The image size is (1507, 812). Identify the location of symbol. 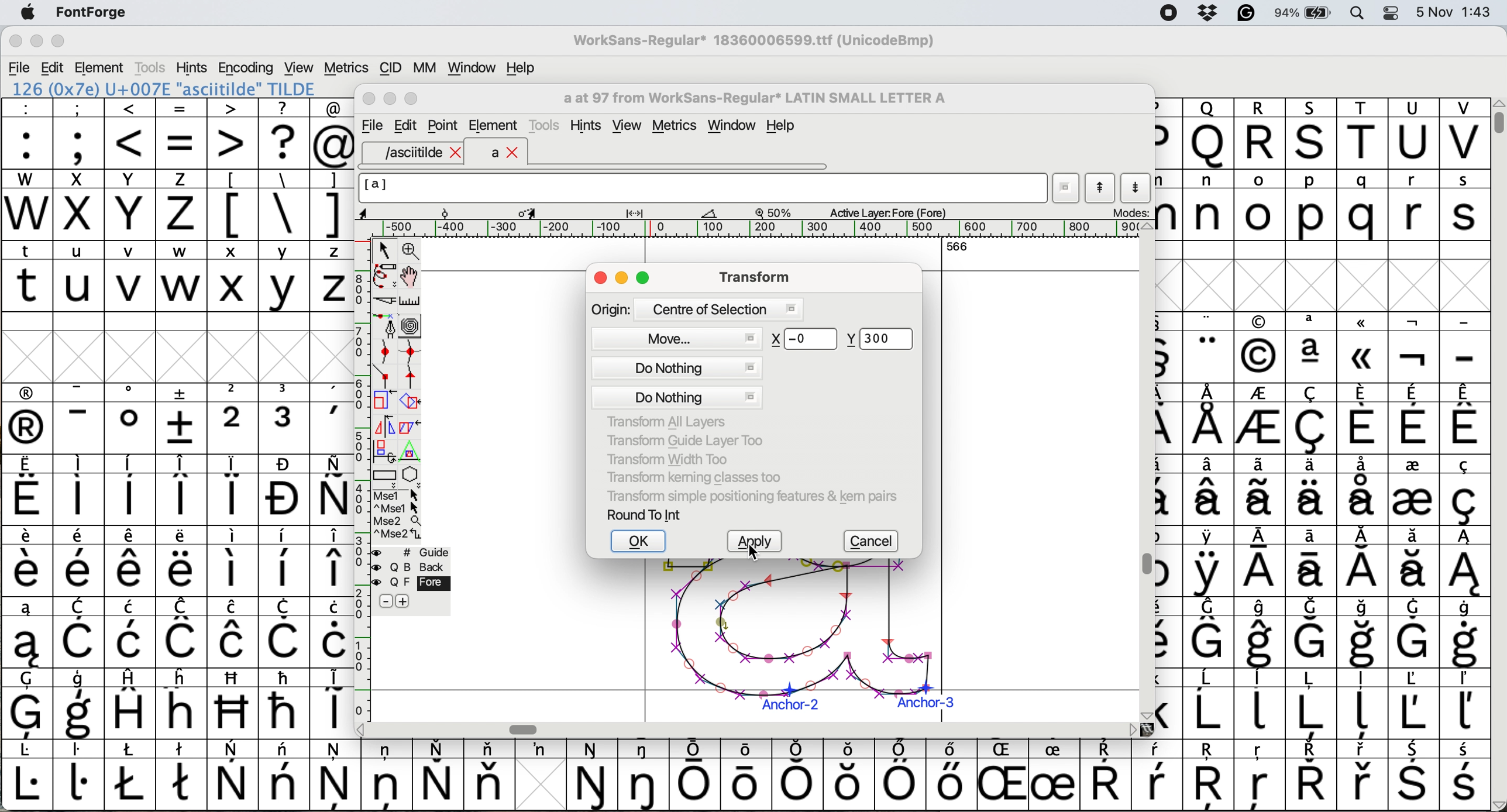
(800, 774).